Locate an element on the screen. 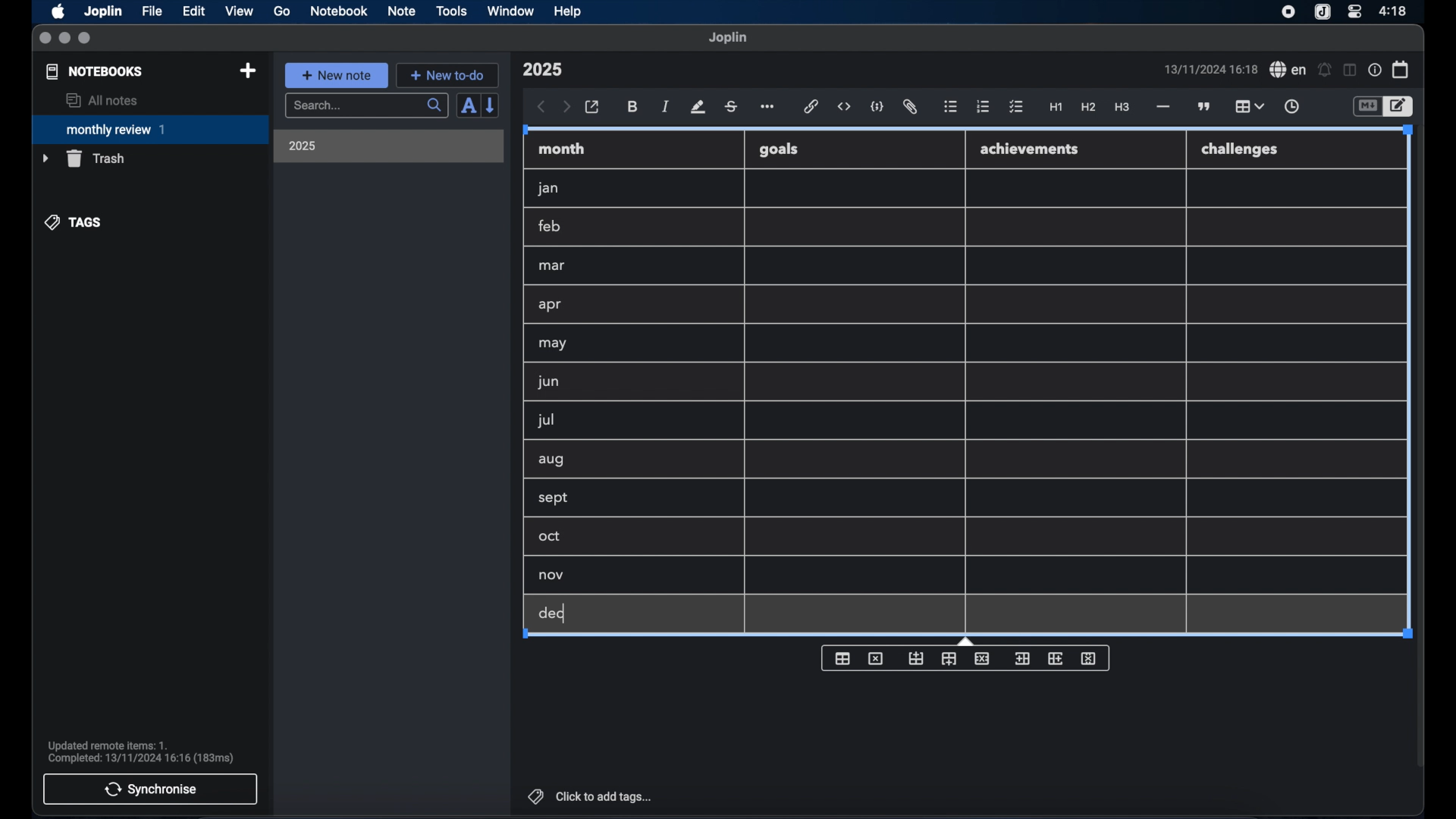 The height and width of the screenshot is (819, 1456). time is located at coordinates (1395, 11).